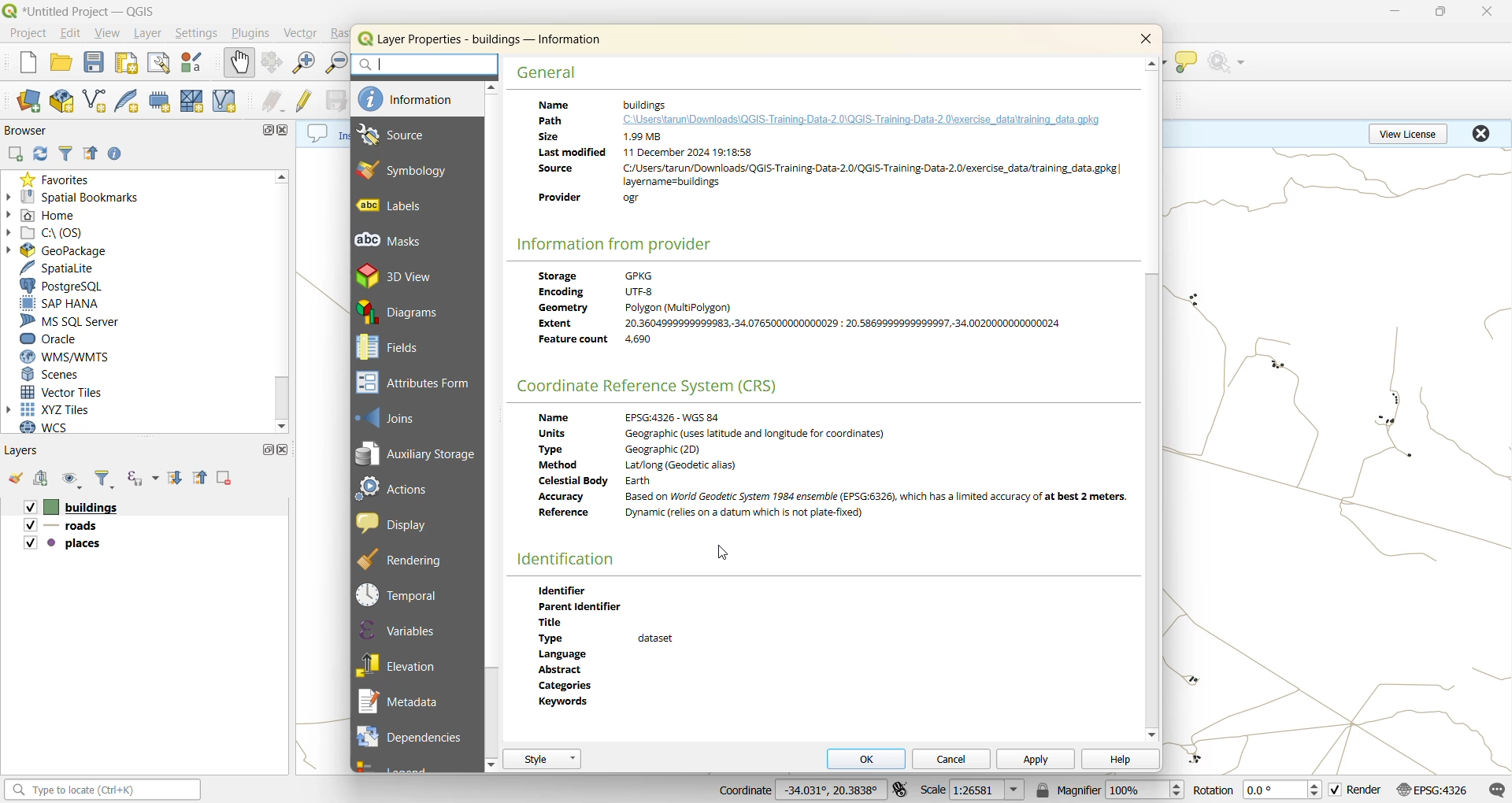  Describe the element at coordinates (413, 172) in the screenshot. I see `symbology` at that location.